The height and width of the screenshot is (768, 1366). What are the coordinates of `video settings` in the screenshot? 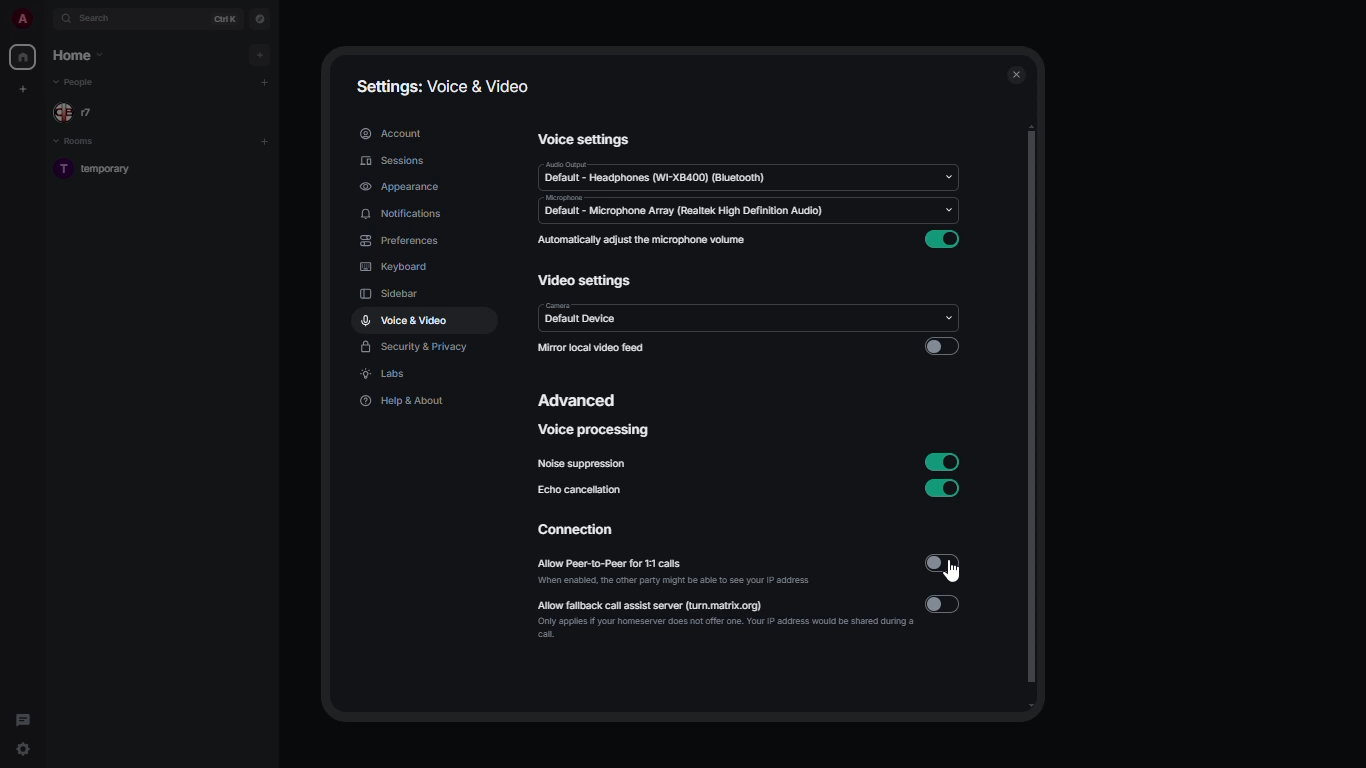 It's located at (587, 281).